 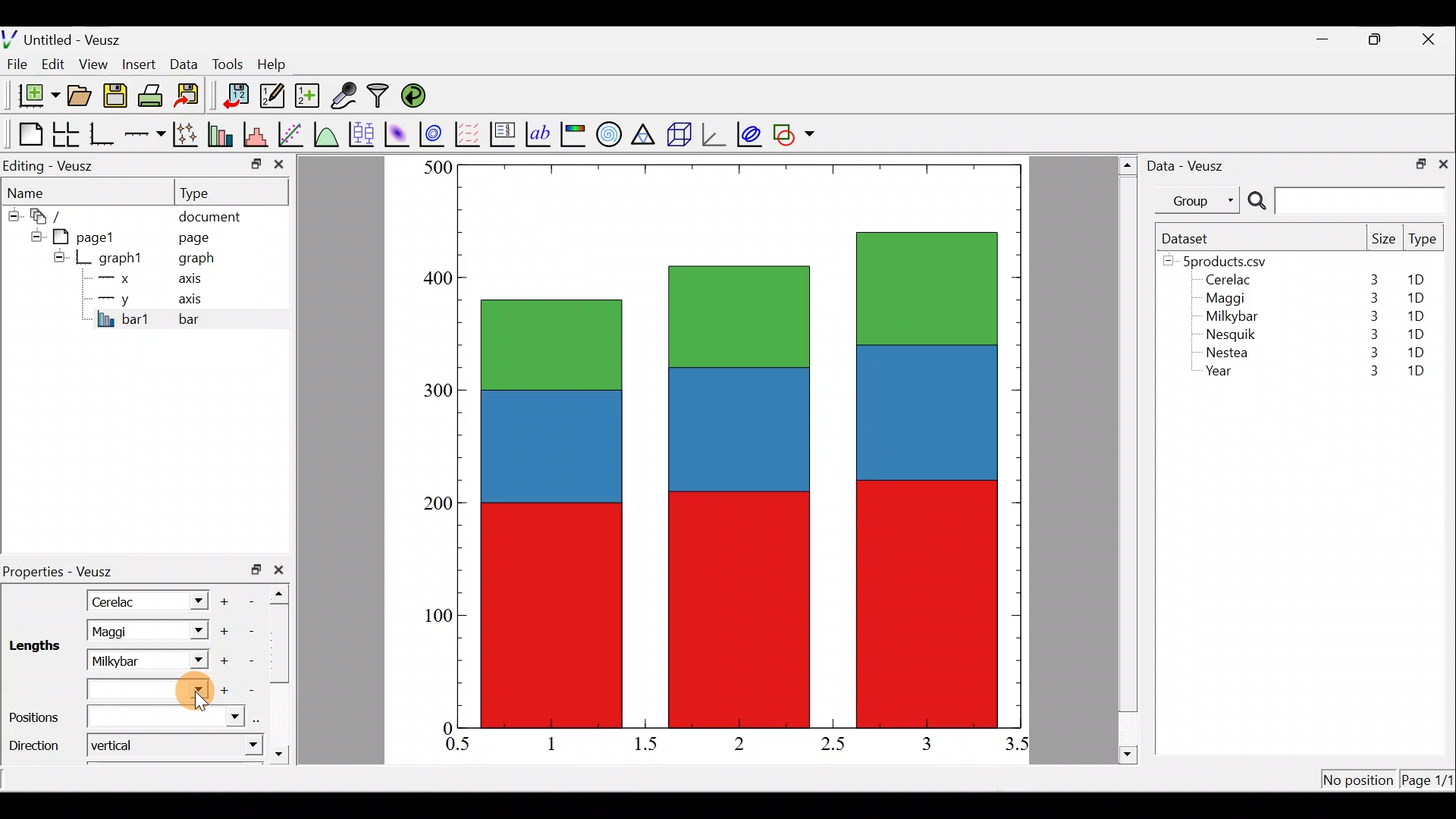 I want to click on 0, so click(x=445, y=727).